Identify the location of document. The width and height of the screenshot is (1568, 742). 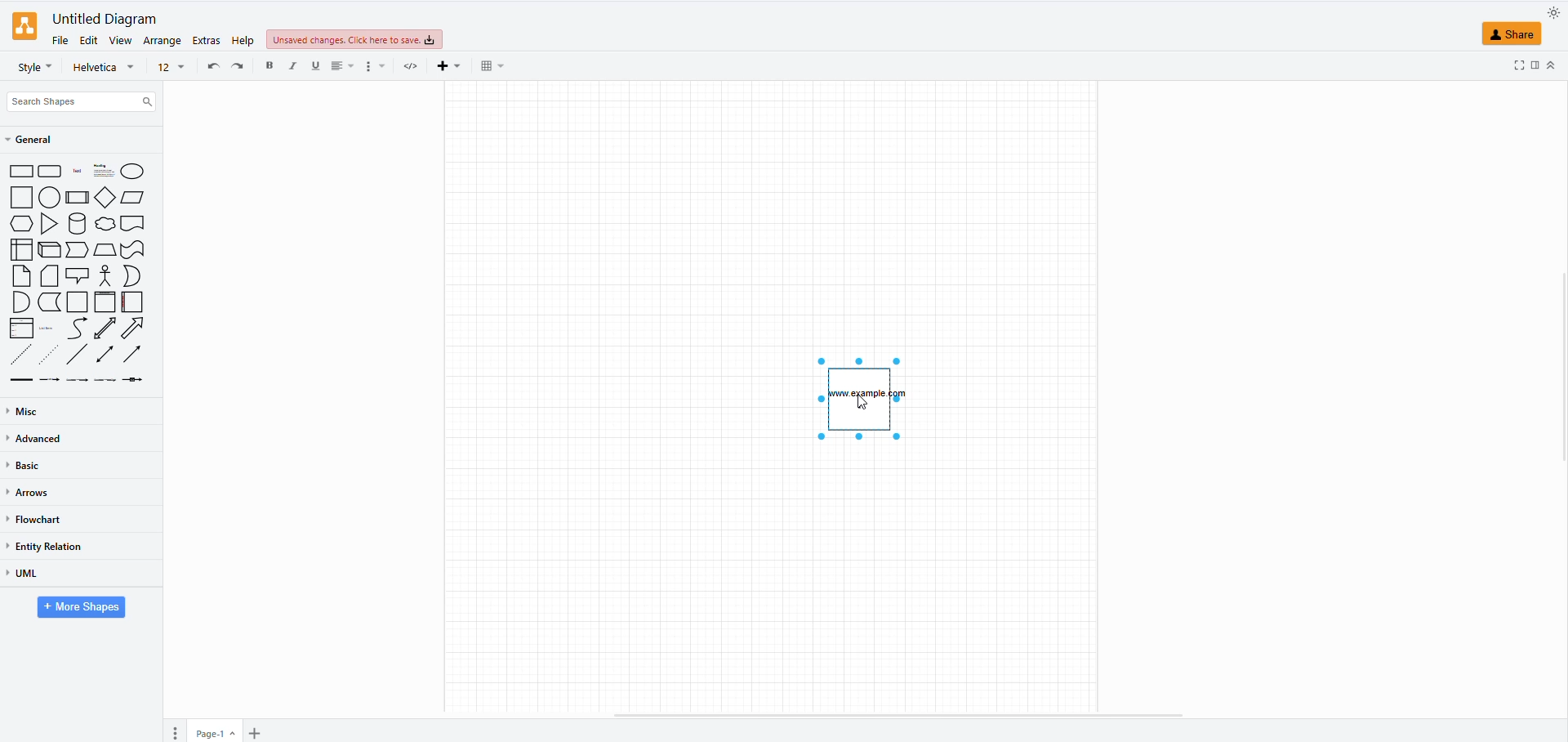
(134, 224).